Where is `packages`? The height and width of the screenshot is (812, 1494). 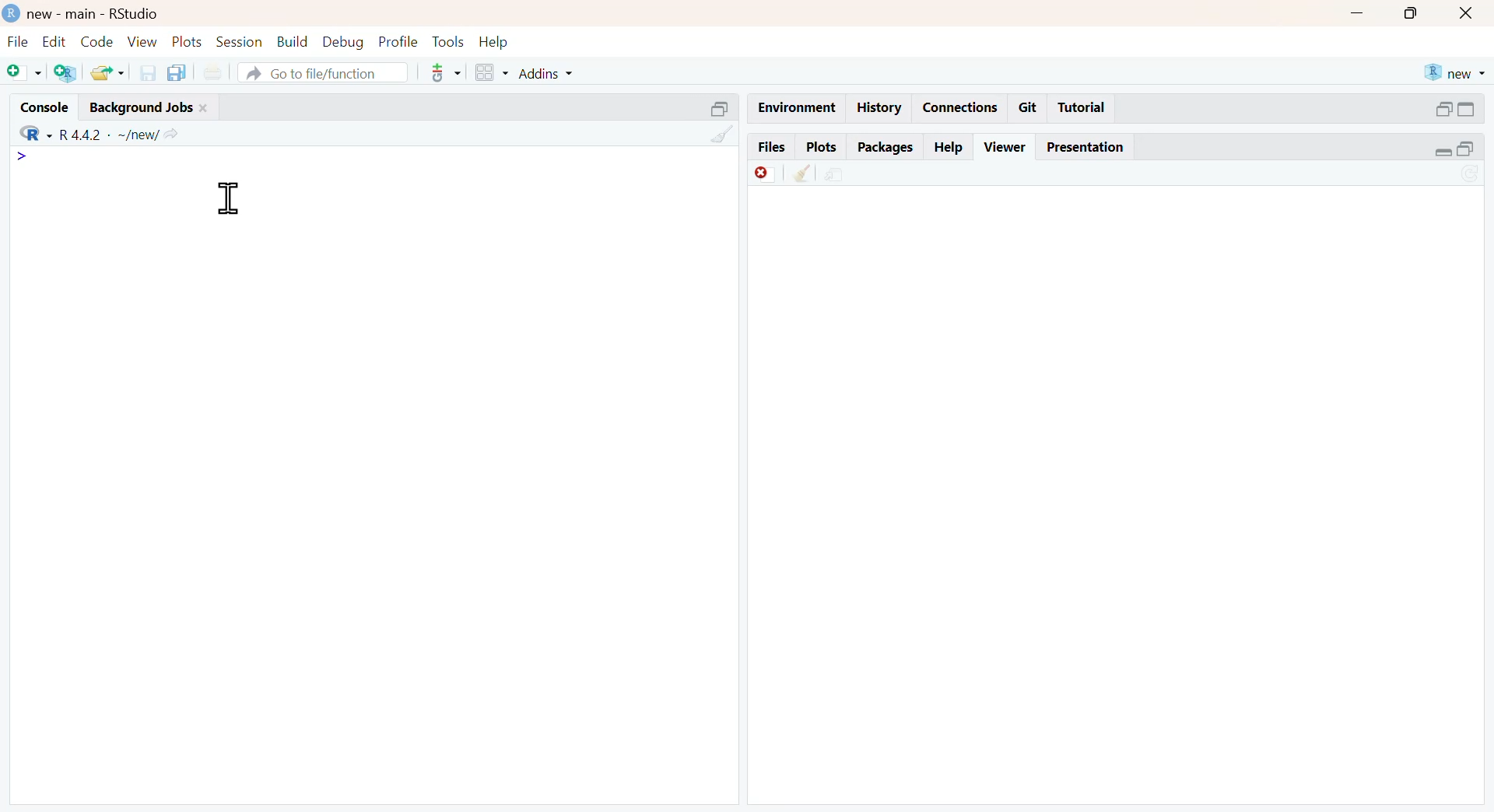
packages is located at coordinates (887, 149).